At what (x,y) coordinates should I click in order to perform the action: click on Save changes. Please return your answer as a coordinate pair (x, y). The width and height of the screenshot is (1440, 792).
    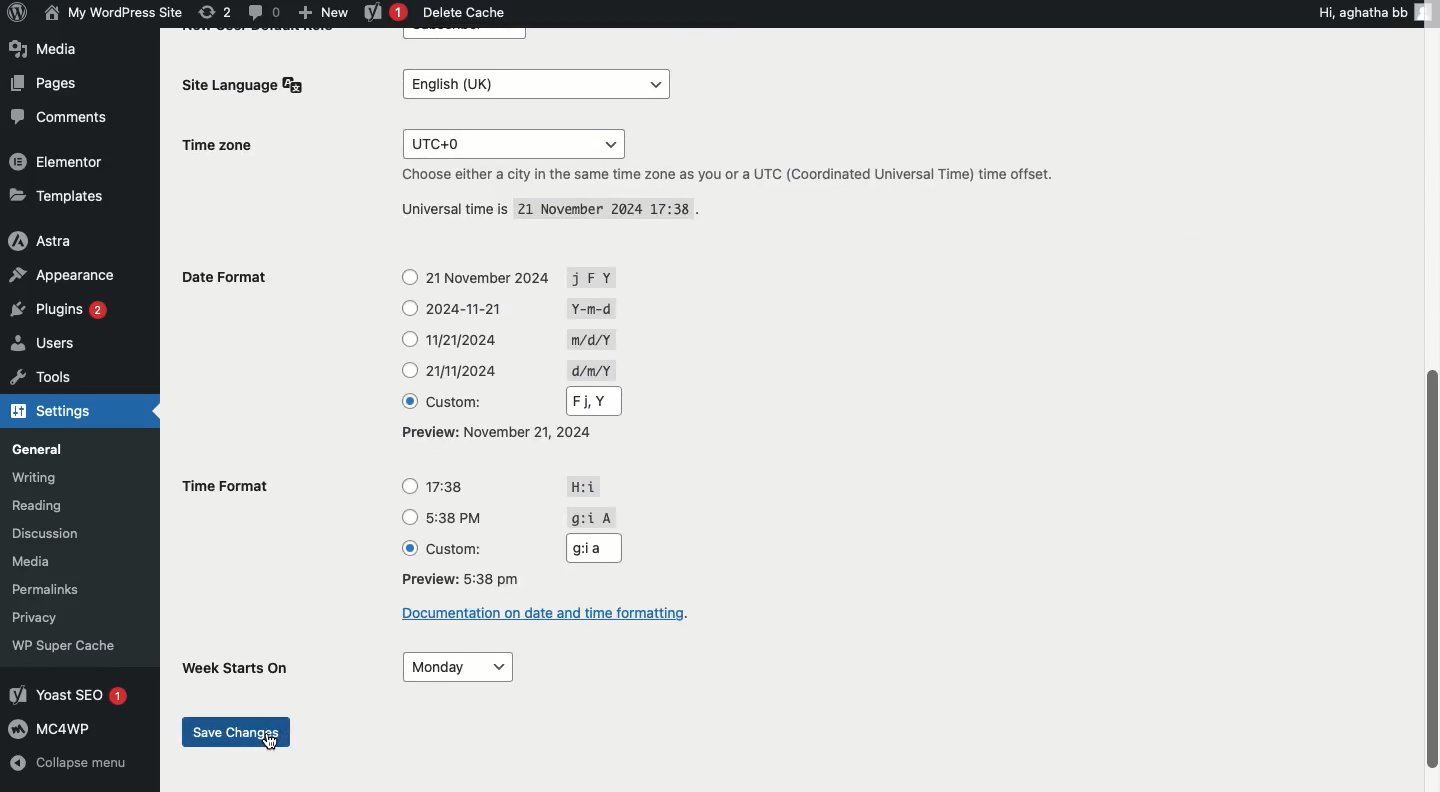
    Looking at the image, I should click on (235, 725).